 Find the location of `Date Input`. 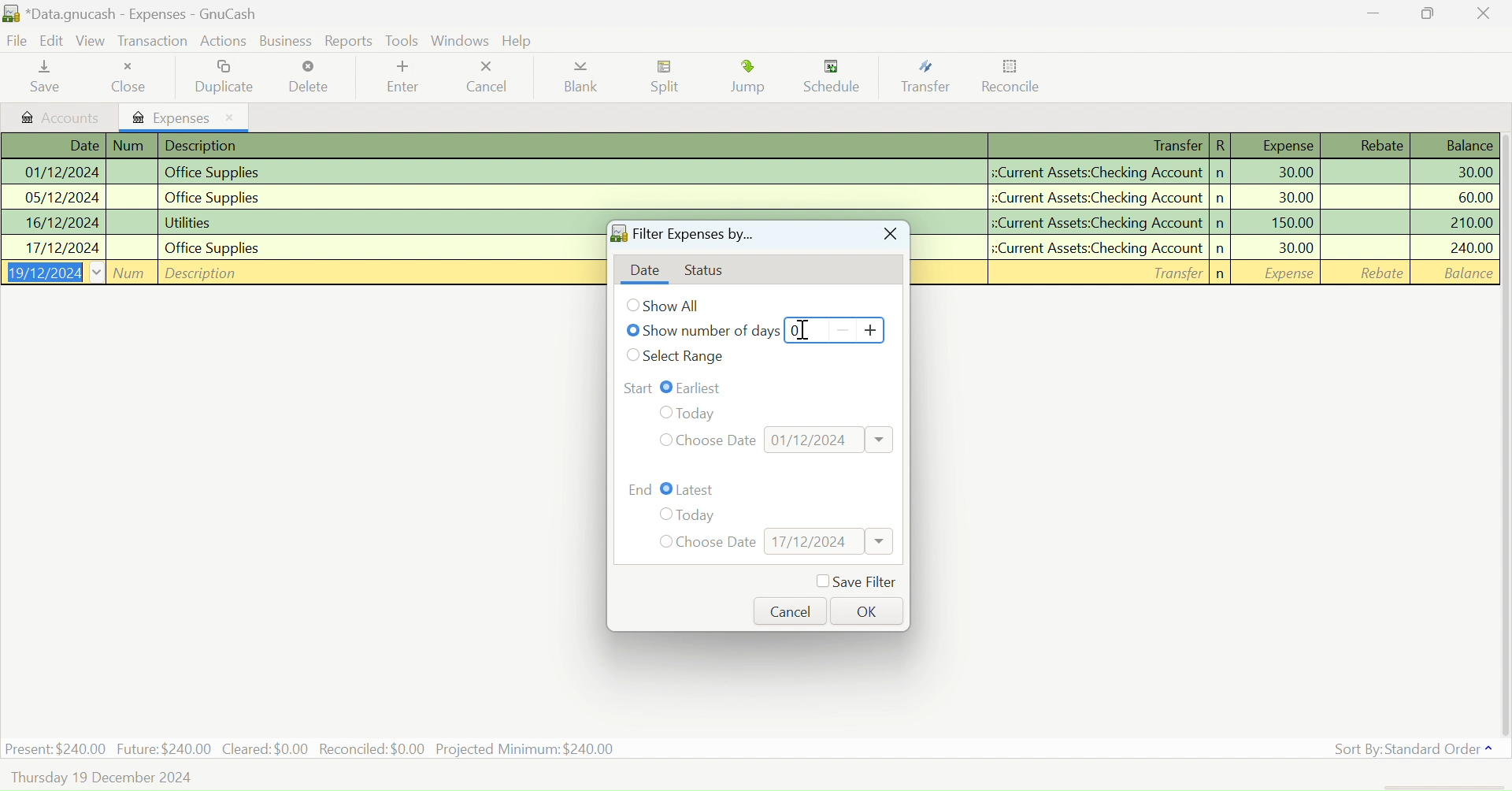

Date Input is located at coordinates (828, 541).